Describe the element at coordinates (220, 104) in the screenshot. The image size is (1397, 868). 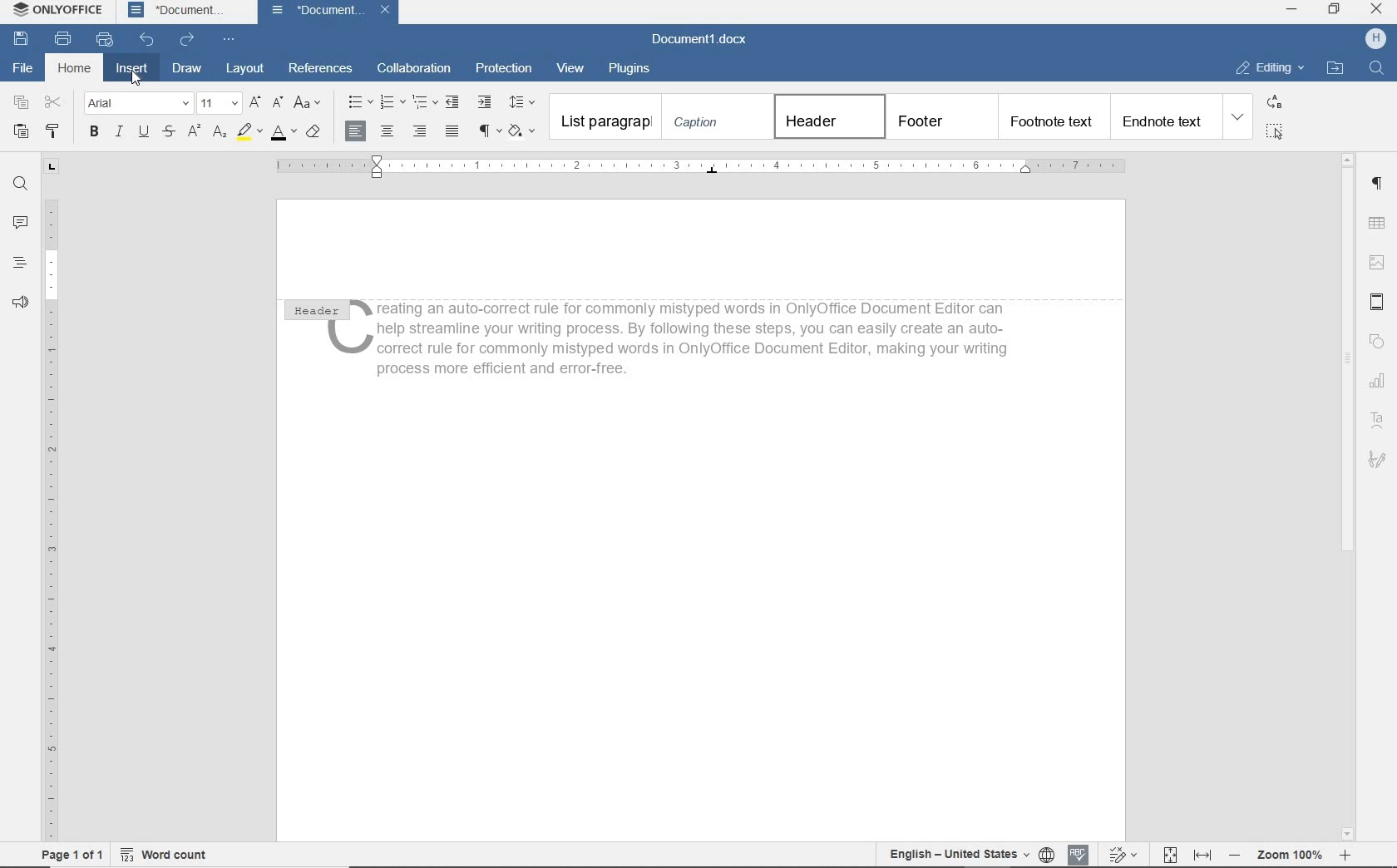
I see `FONT SIZE` at that location.